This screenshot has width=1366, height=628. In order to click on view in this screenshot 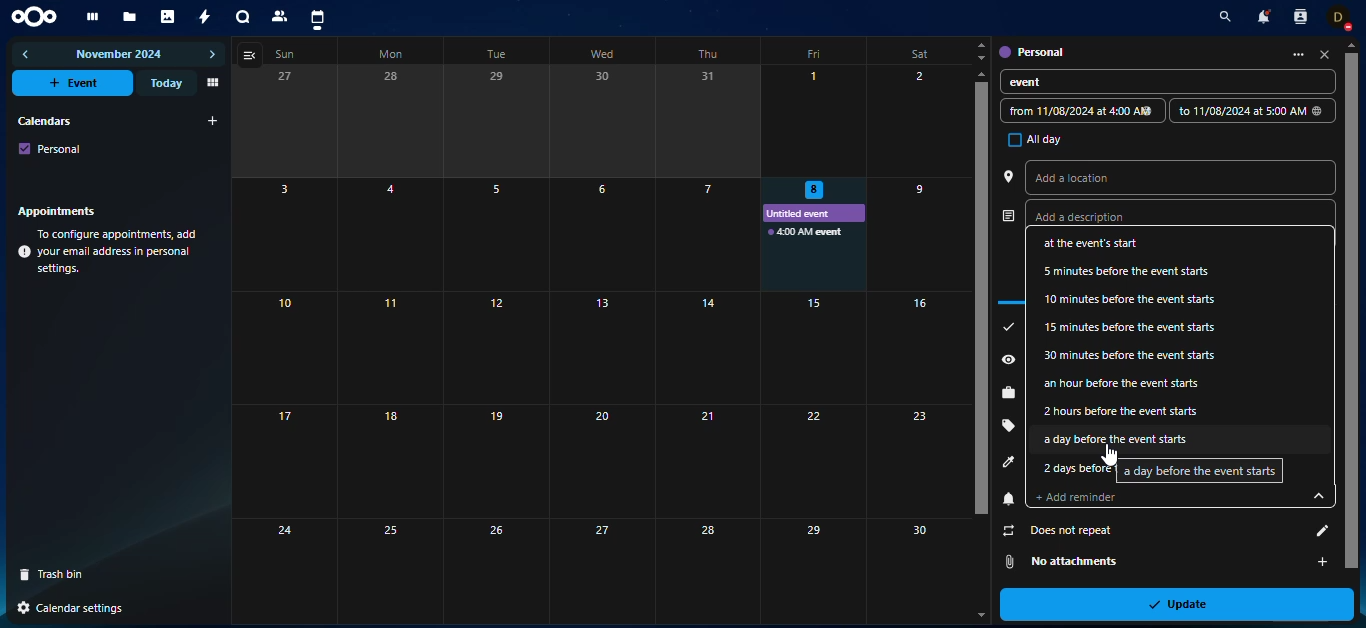, I will do `click(252, 55)`.